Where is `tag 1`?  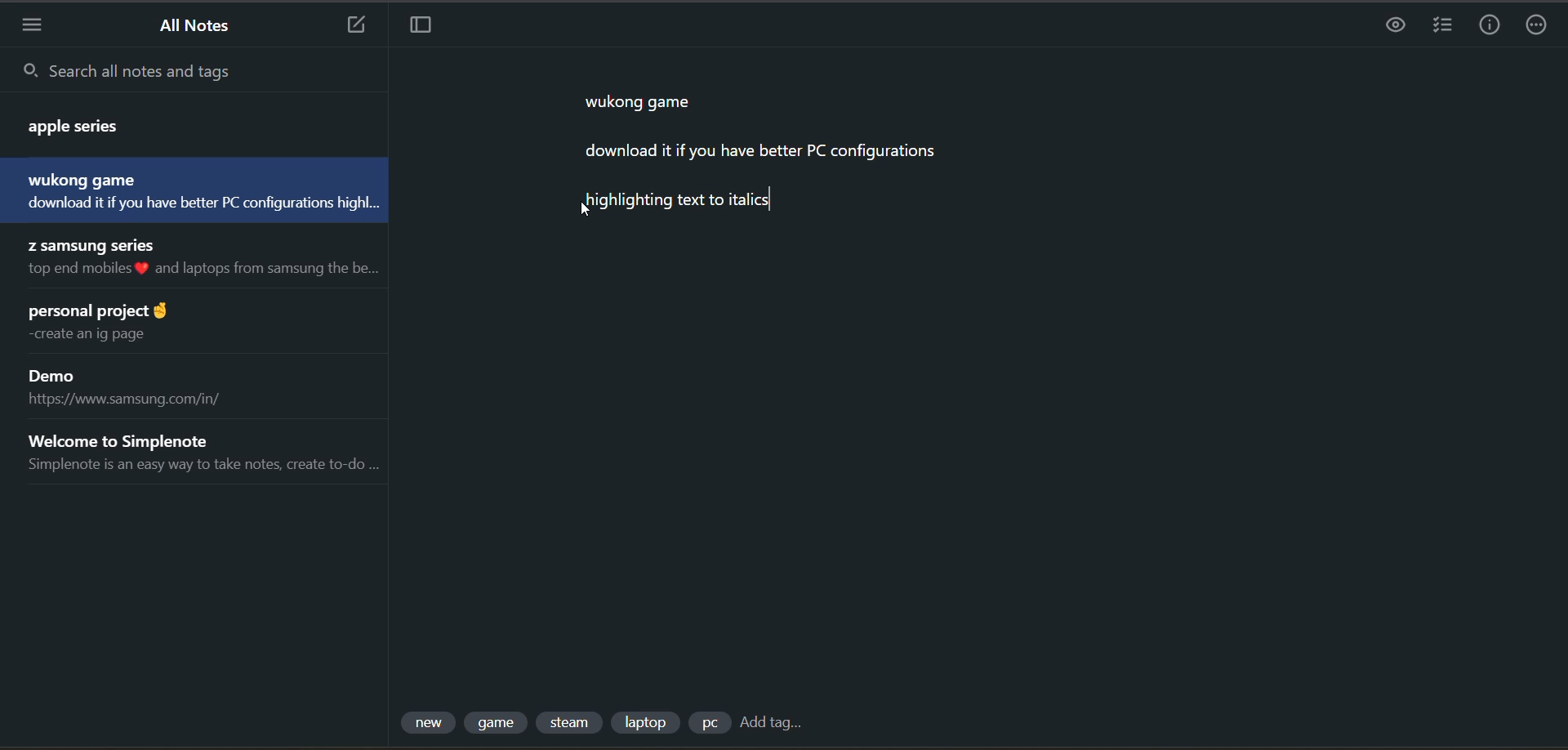 tag 1 is located at coordinates (430, 723).